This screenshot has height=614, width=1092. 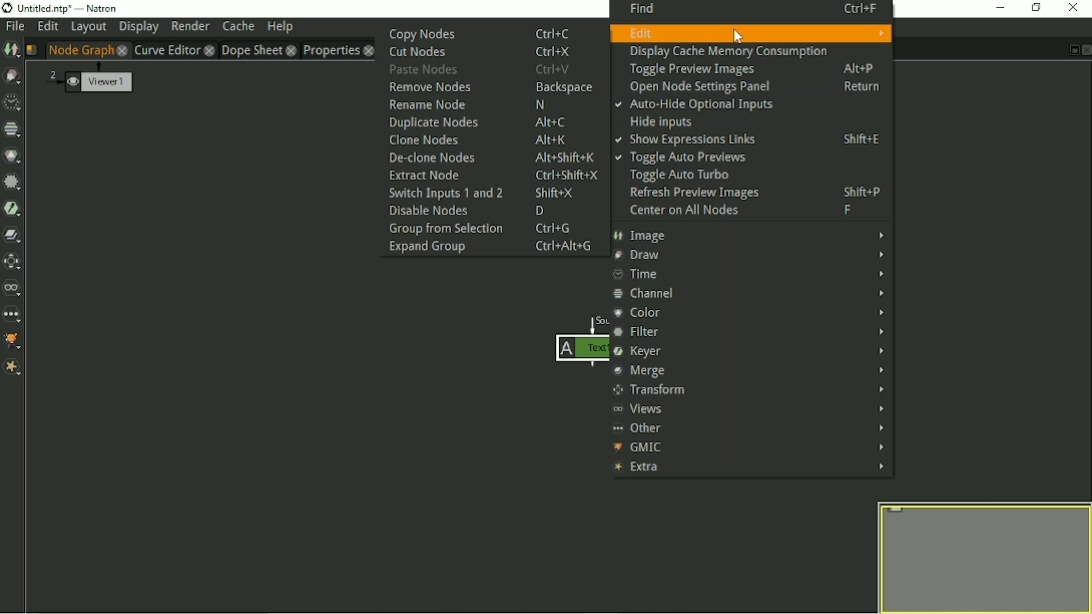 I want to click on Image, so click(x=751, y=236).